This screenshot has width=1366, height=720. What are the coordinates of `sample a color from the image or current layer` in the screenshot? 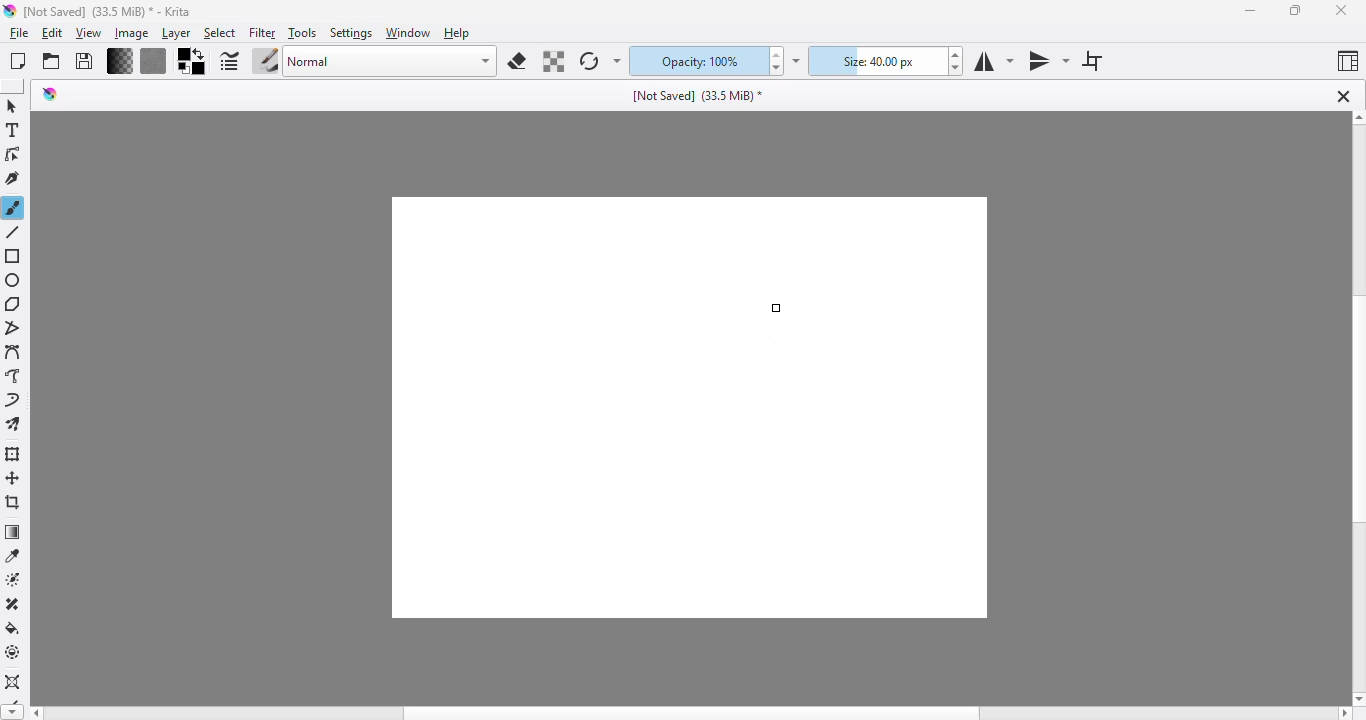 It's located at (13, 555).